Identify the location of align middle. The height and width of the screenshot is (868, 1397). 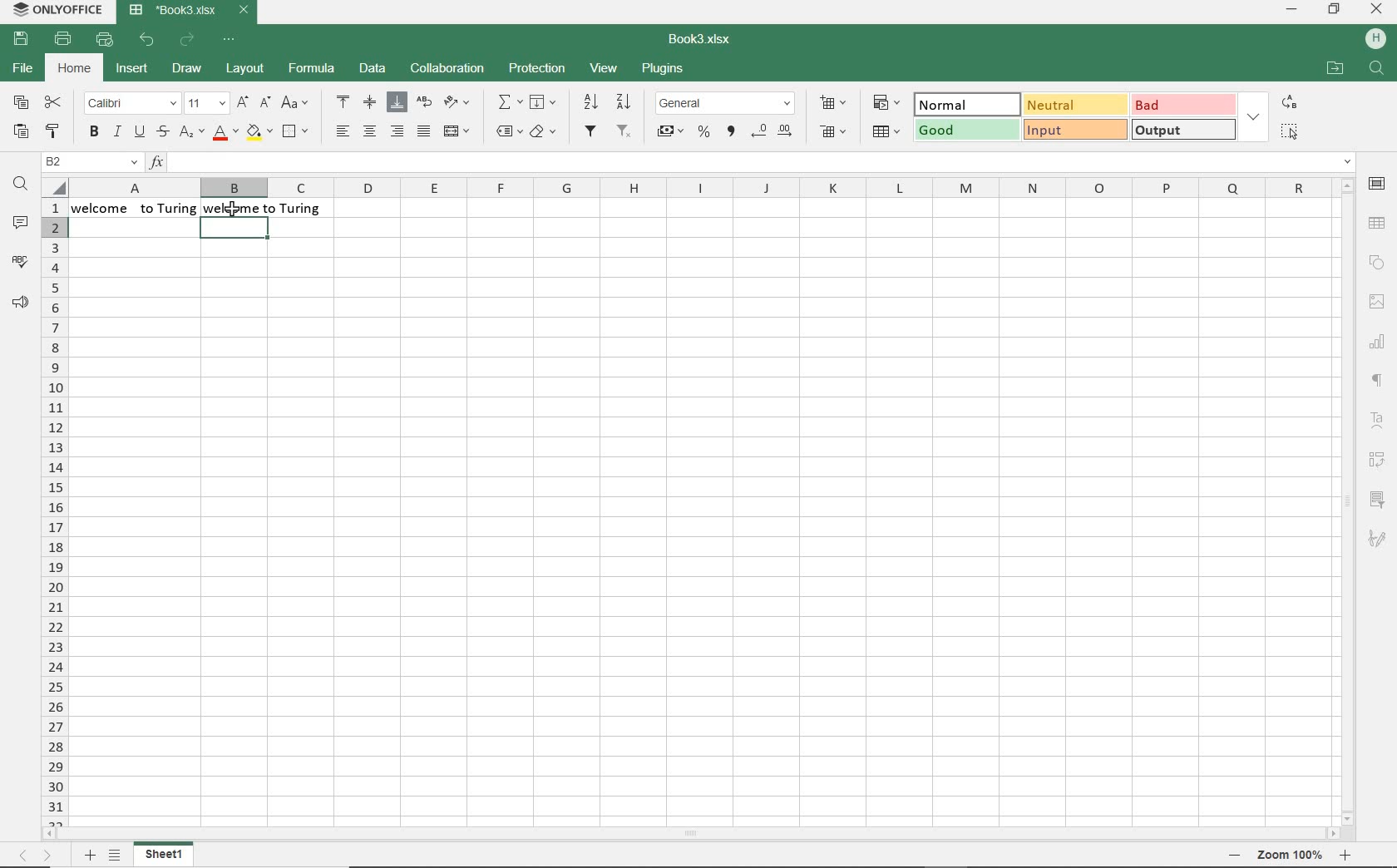
(369, 102).